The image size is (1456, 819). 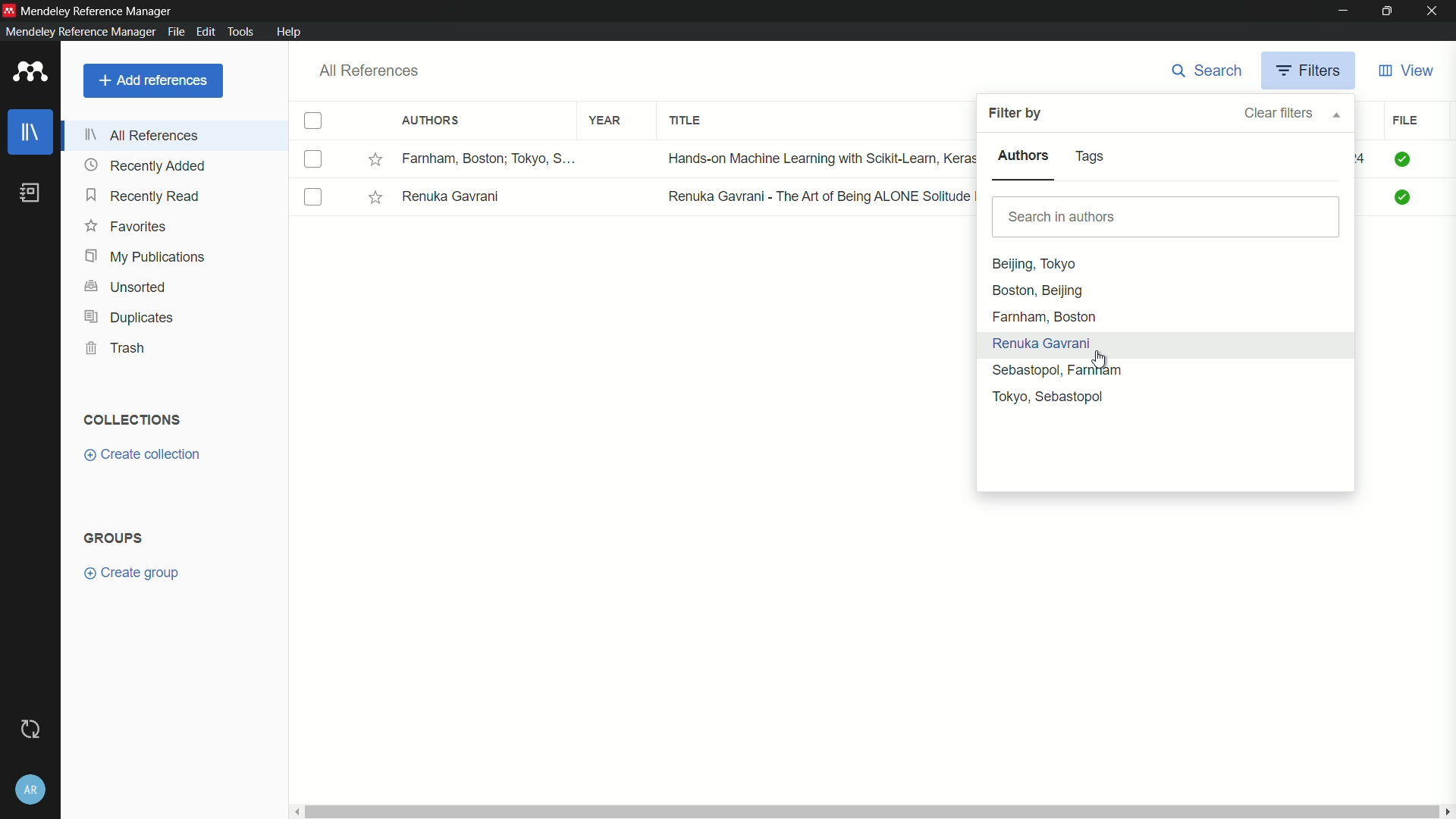 I want to click on duplicates, so click(x=126, y=318).